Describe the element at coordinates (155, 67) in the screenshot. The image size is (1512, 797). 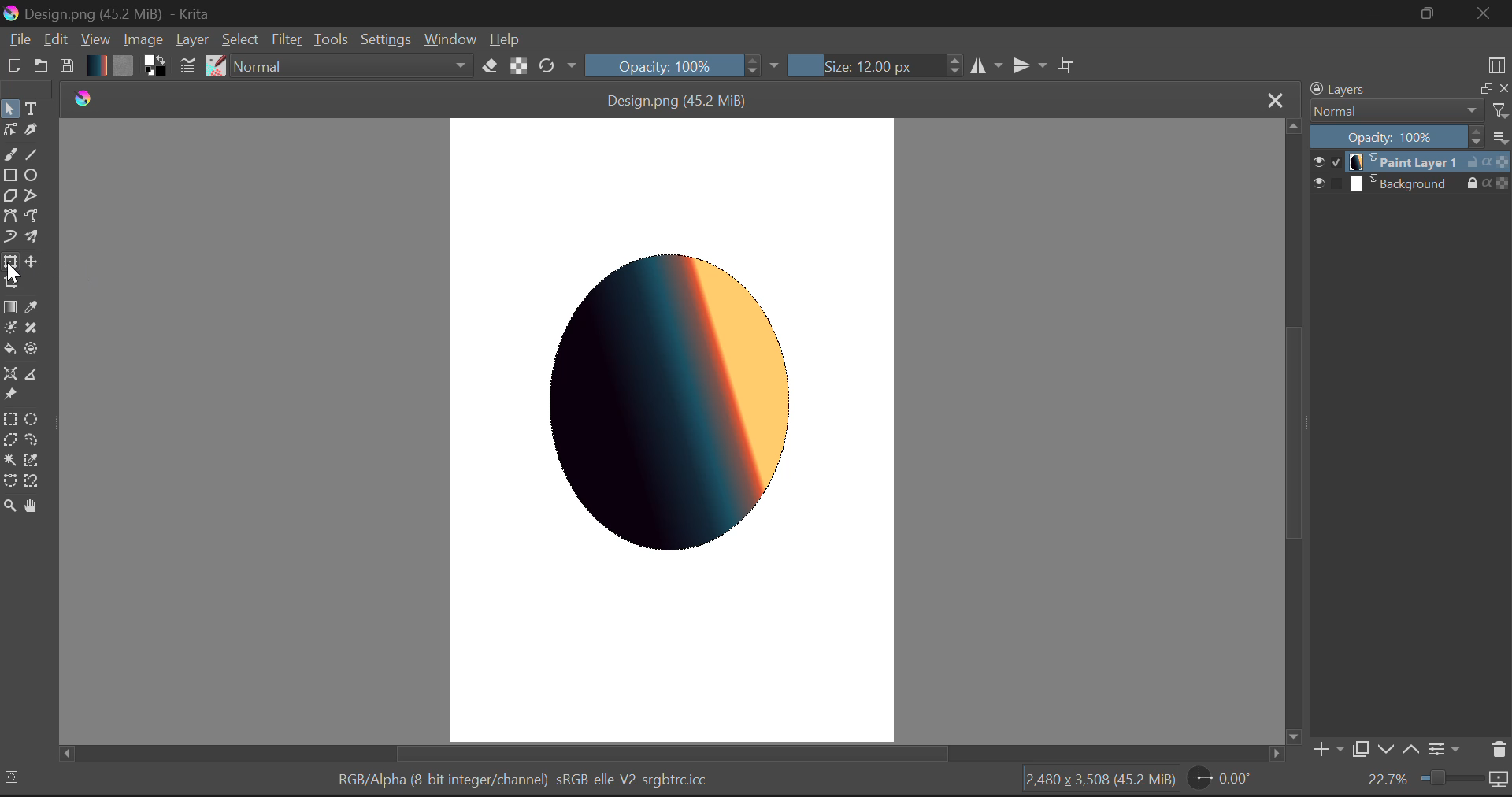
I see `Colors in use` at that location.